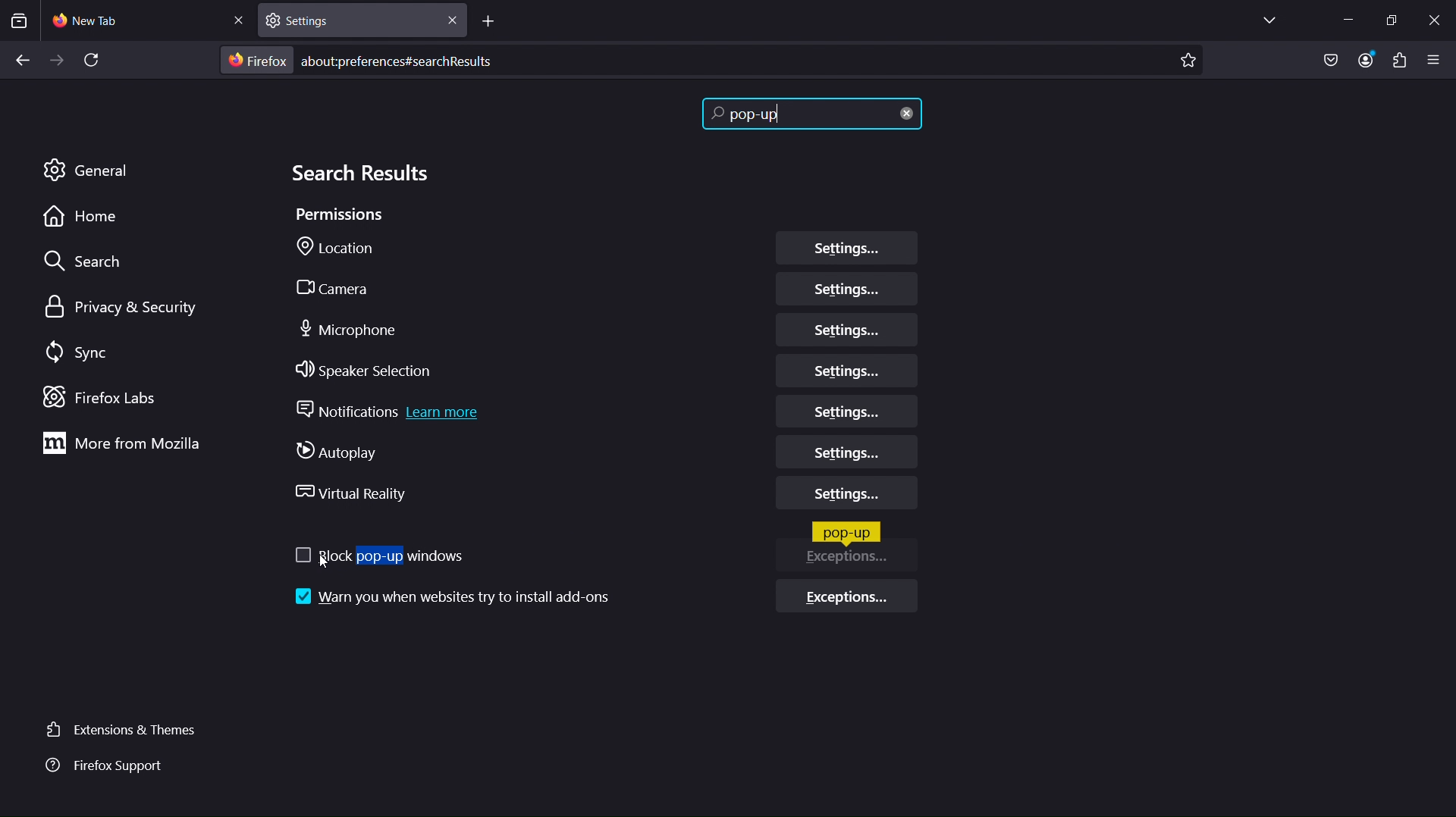 This screenshot has width=1456, height=817. I want to click on Search Results, so click(360, 174).